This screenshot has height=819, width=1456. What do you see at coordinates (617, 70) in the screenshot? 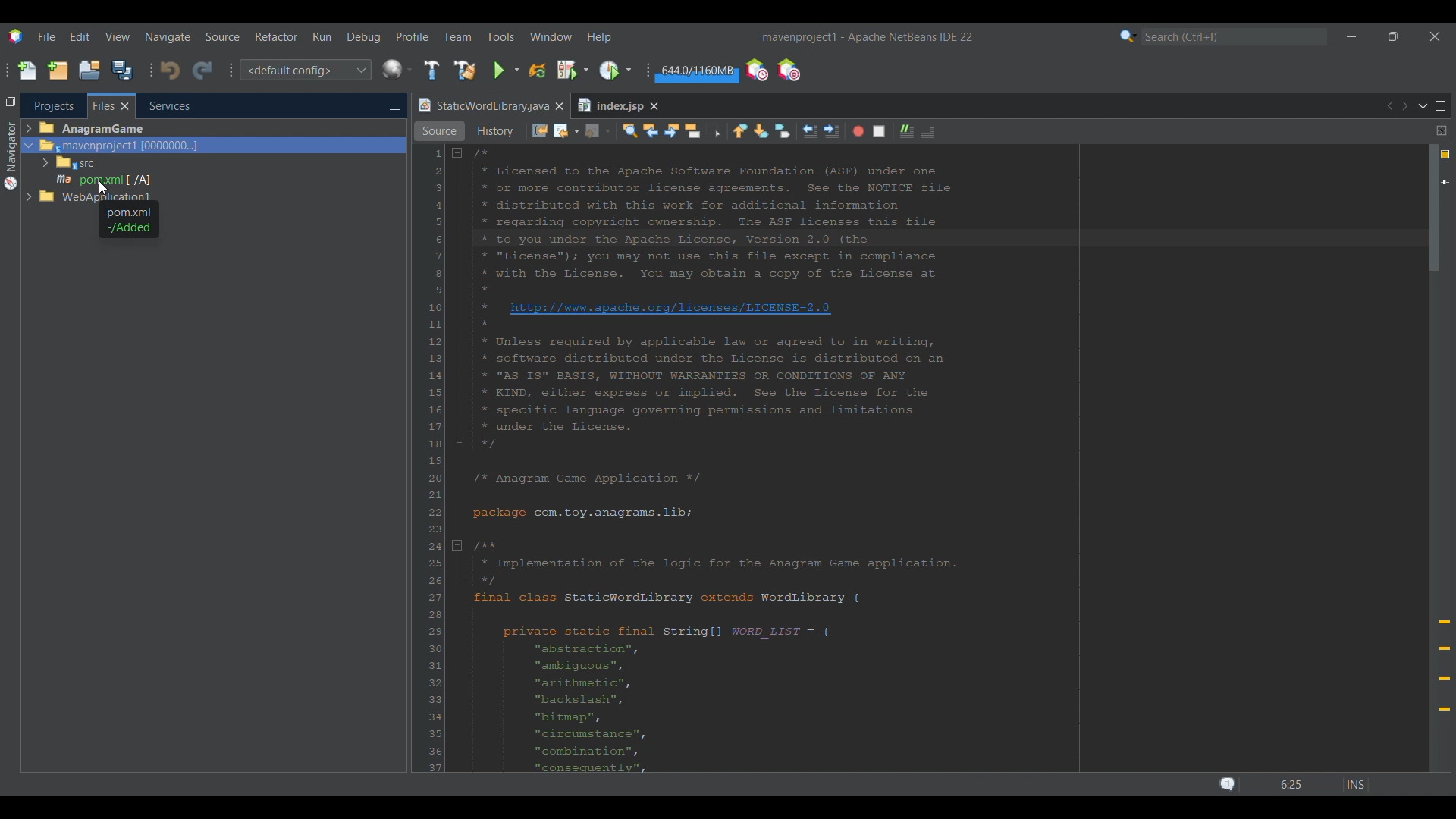
I see `Profile main project options` at bounding box center [617, 70].